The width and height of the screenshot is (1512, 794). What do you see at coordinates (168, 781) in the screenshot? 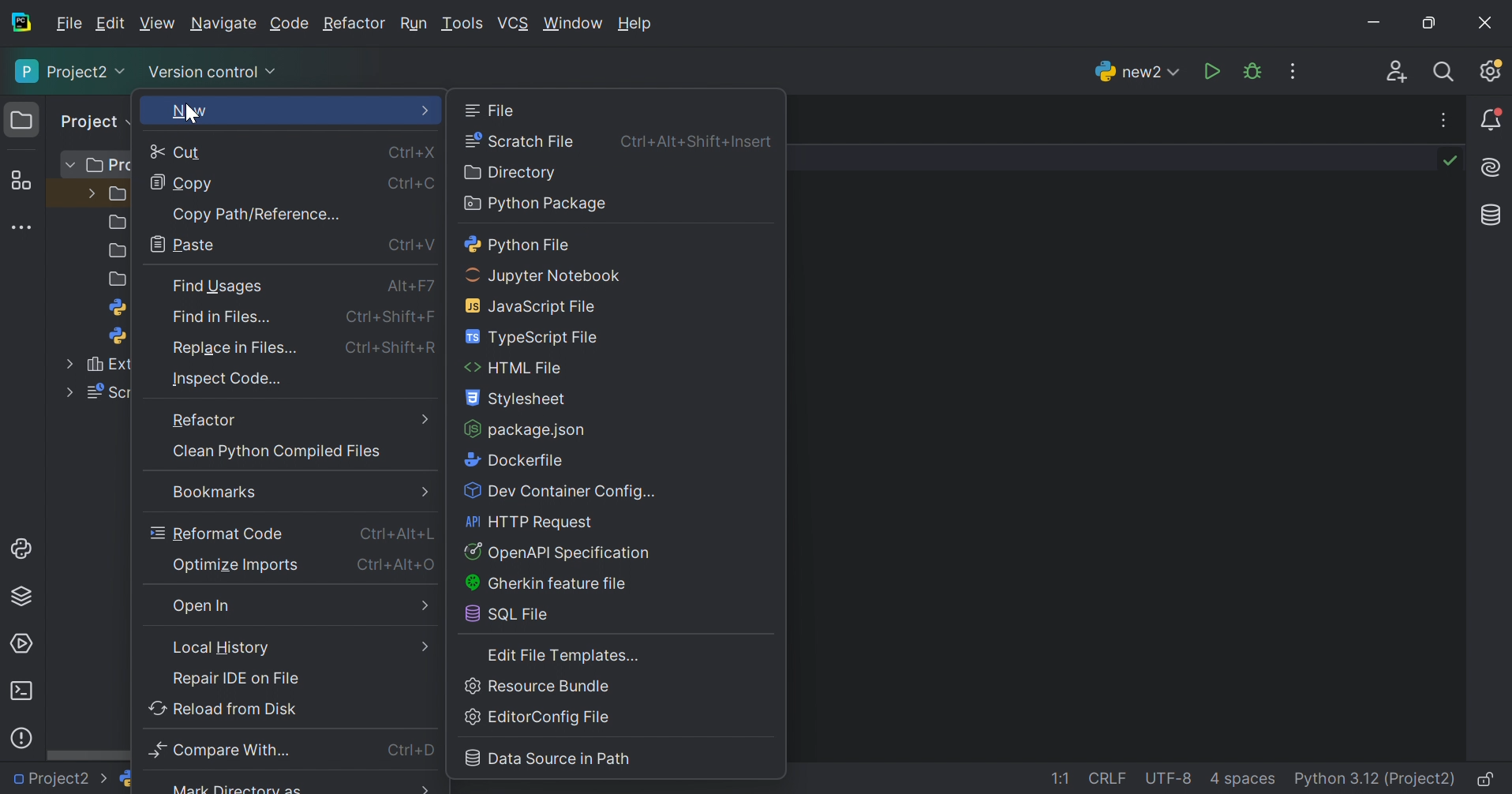
I see `new2.py` at bounding box center [168, 781].